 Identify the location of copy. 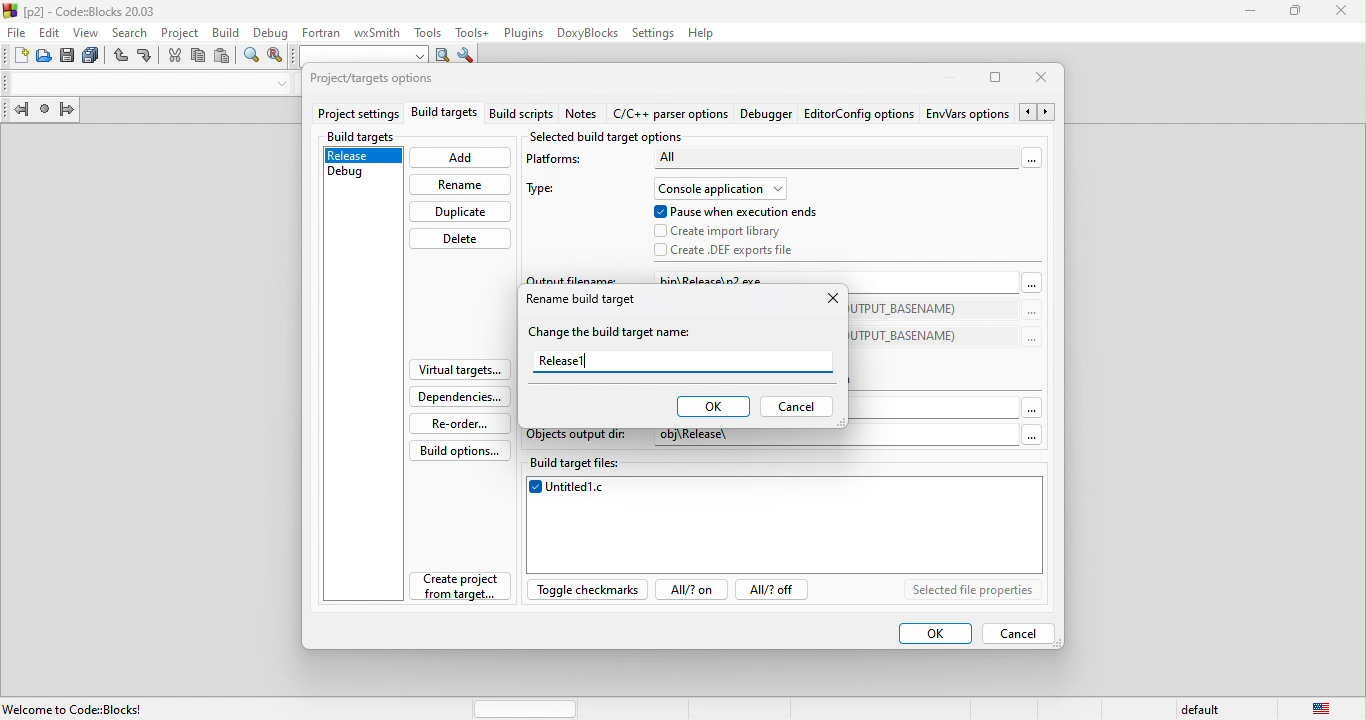
(199, 59).